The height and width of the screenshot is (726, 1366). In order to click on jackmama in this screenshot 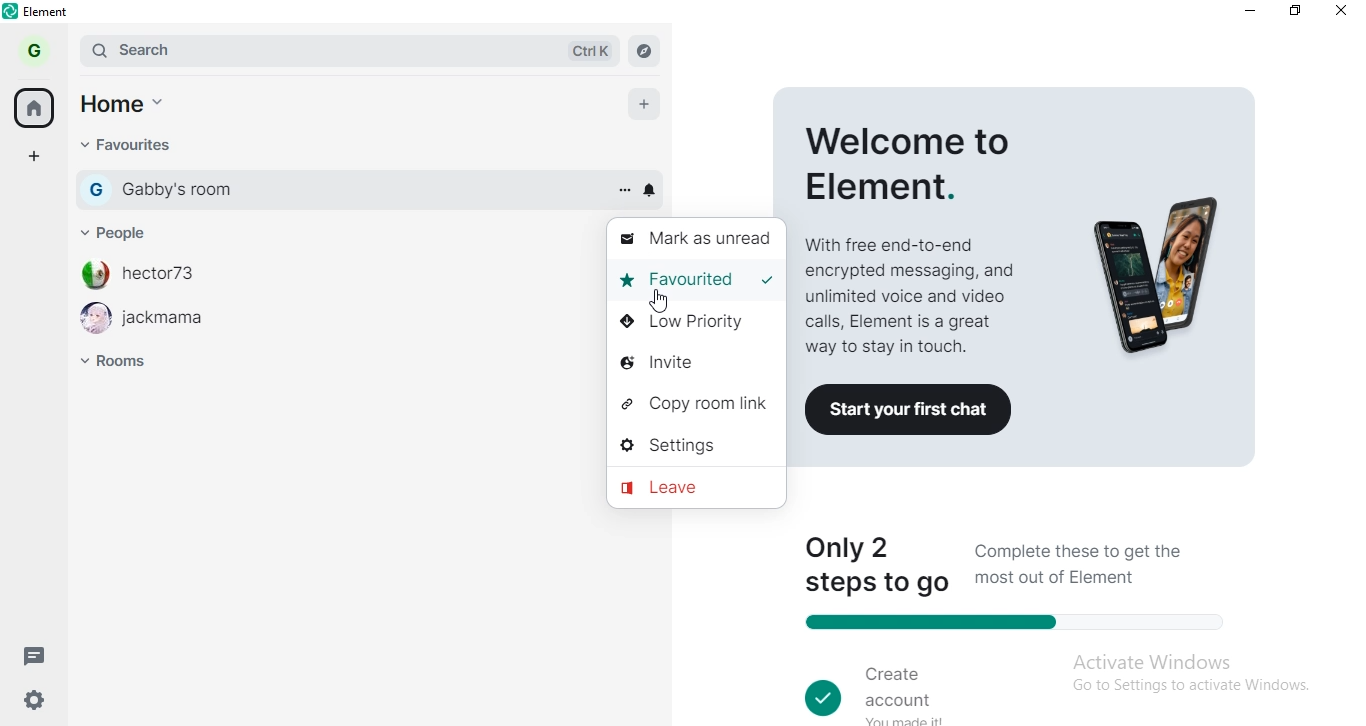, I will do `click(177, 322)`.